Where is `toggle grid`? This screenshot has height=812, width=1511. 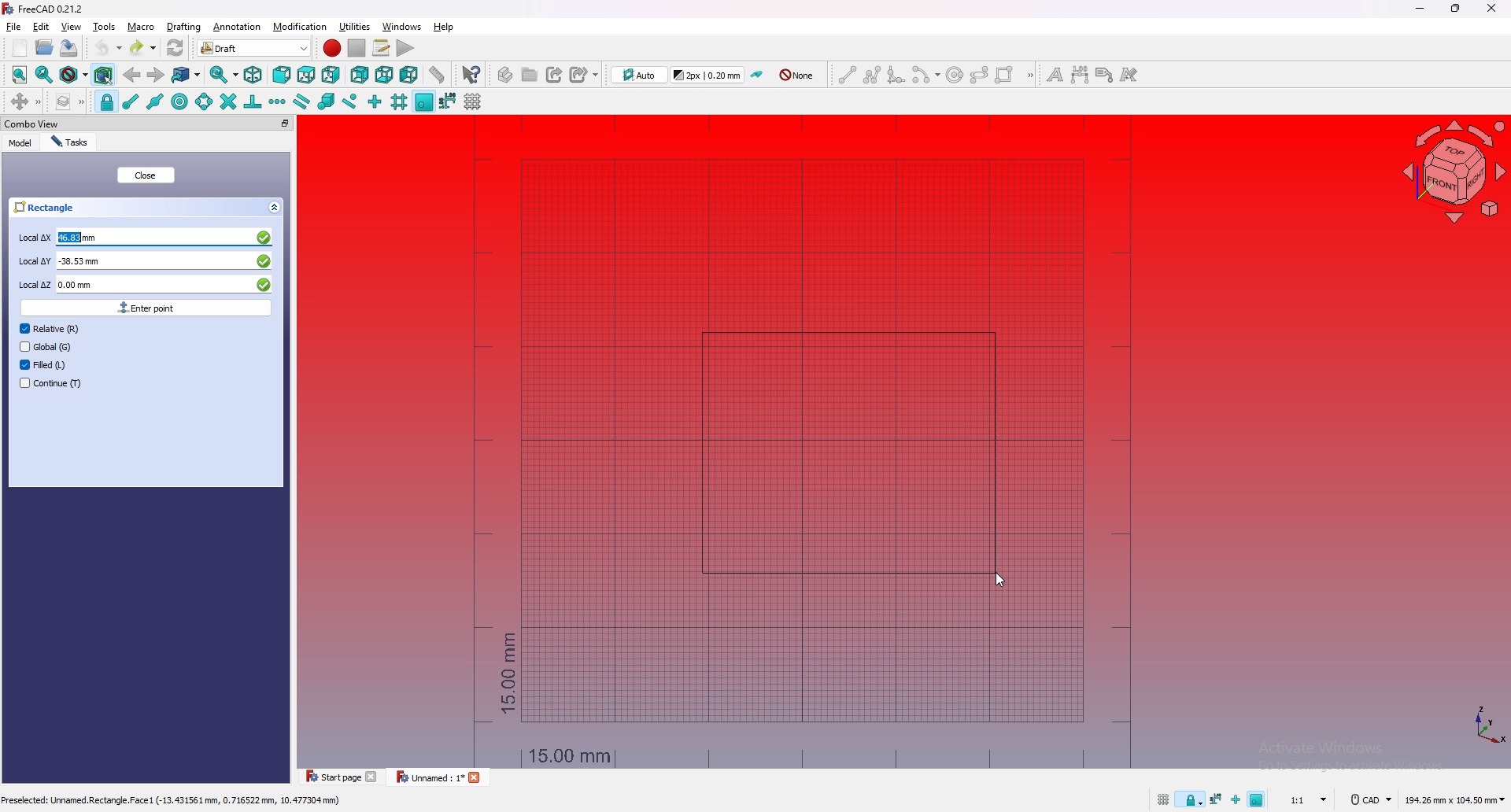
toggle grid is located at coordinates (475, 101).